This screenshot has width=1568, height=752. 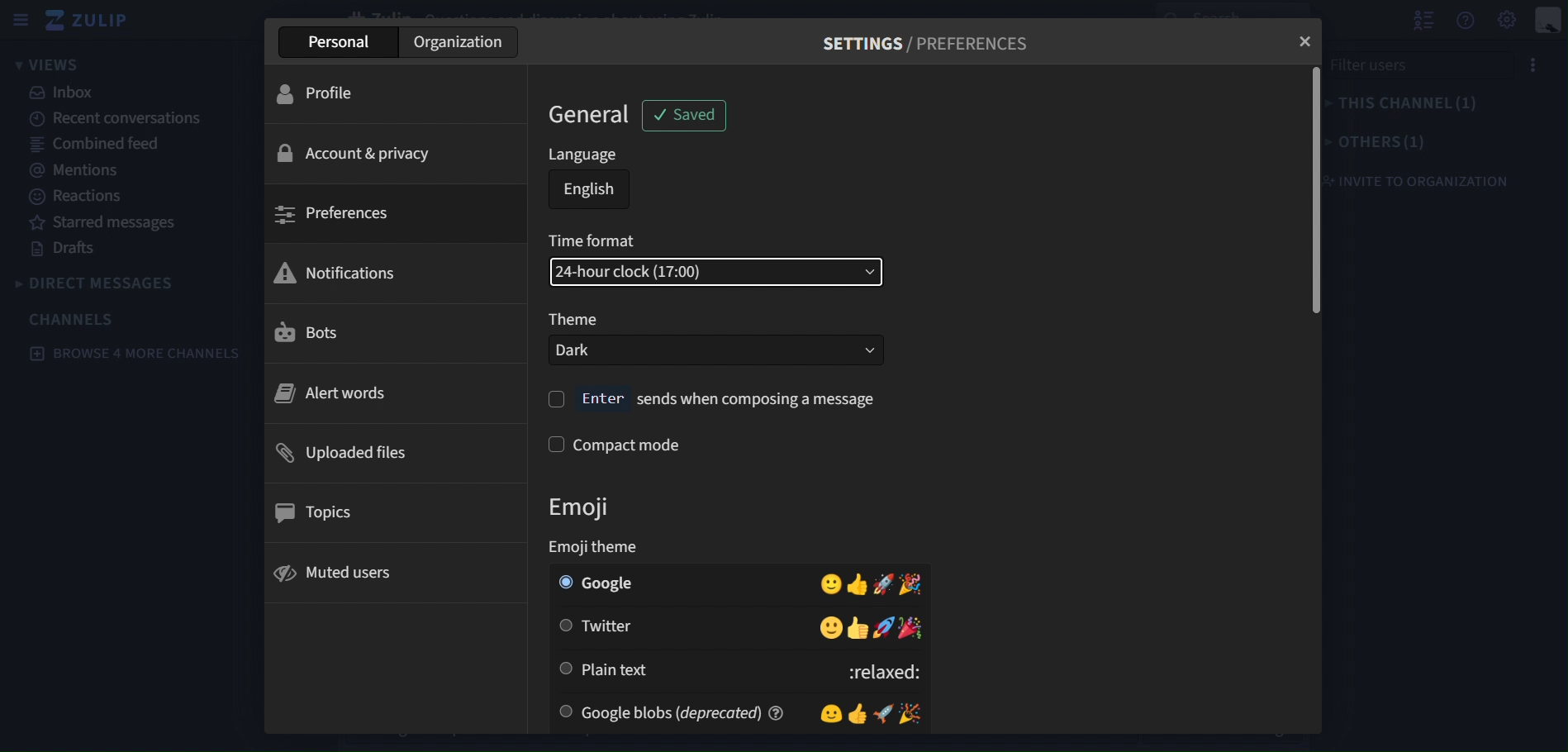 What do you see at coordinates (586, 189) in the screenshot?
I see `english` at bounding box center [586, 189].